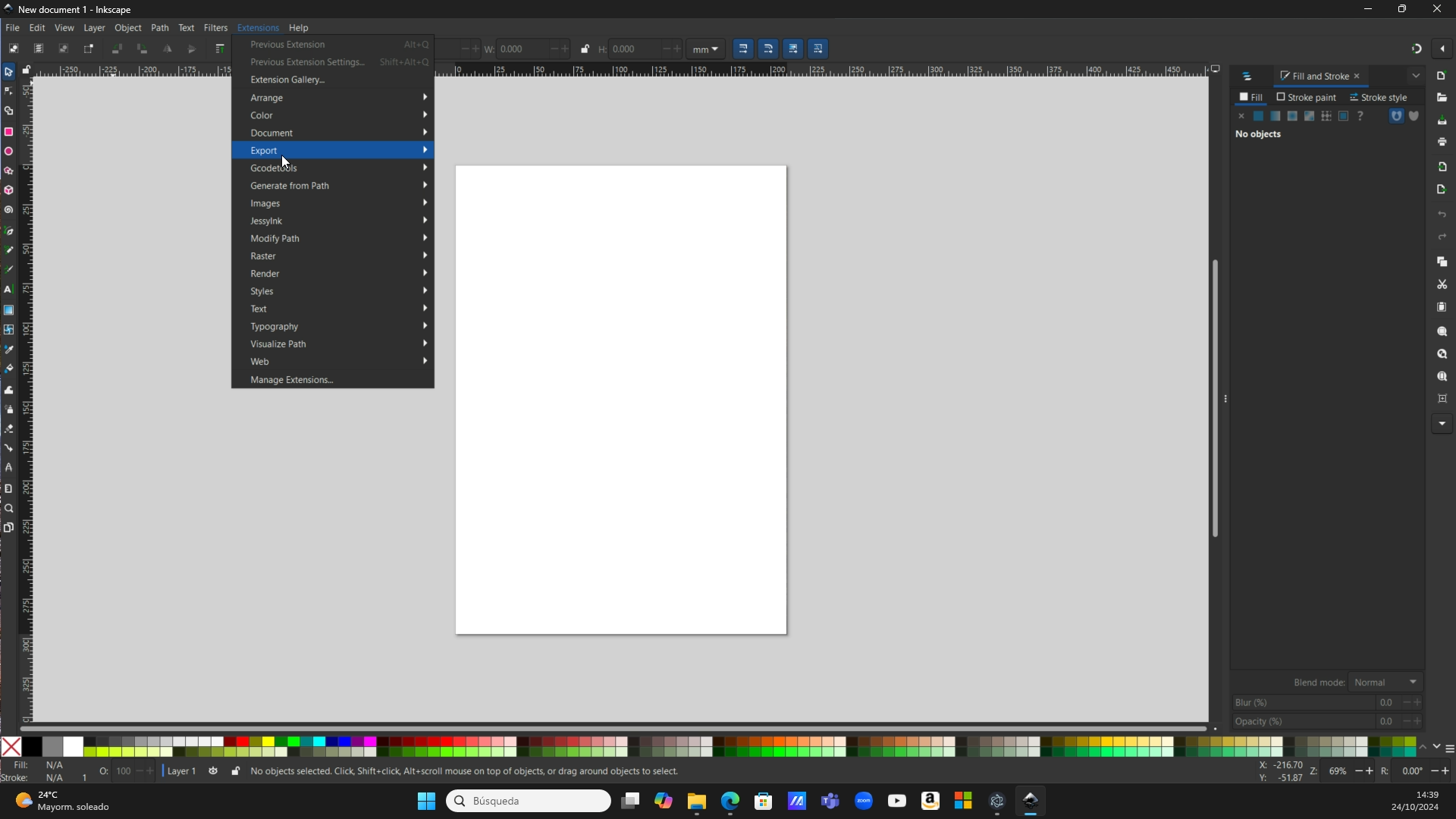  I want to click on Image Shape Customization, so click(719, 49).